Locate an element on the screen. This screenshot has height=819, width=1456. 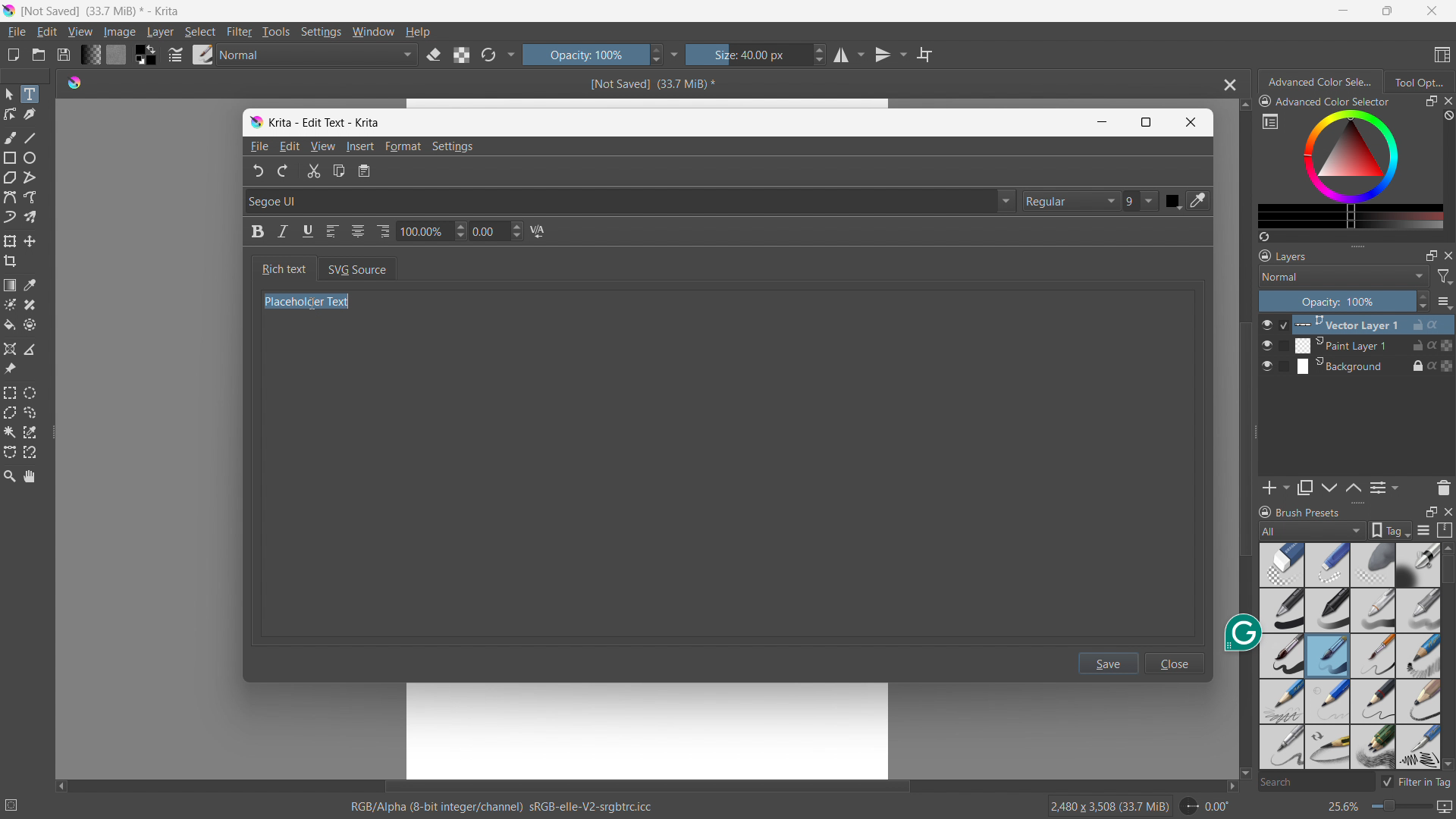
rectangle tool is located at coordinates (11, 158).